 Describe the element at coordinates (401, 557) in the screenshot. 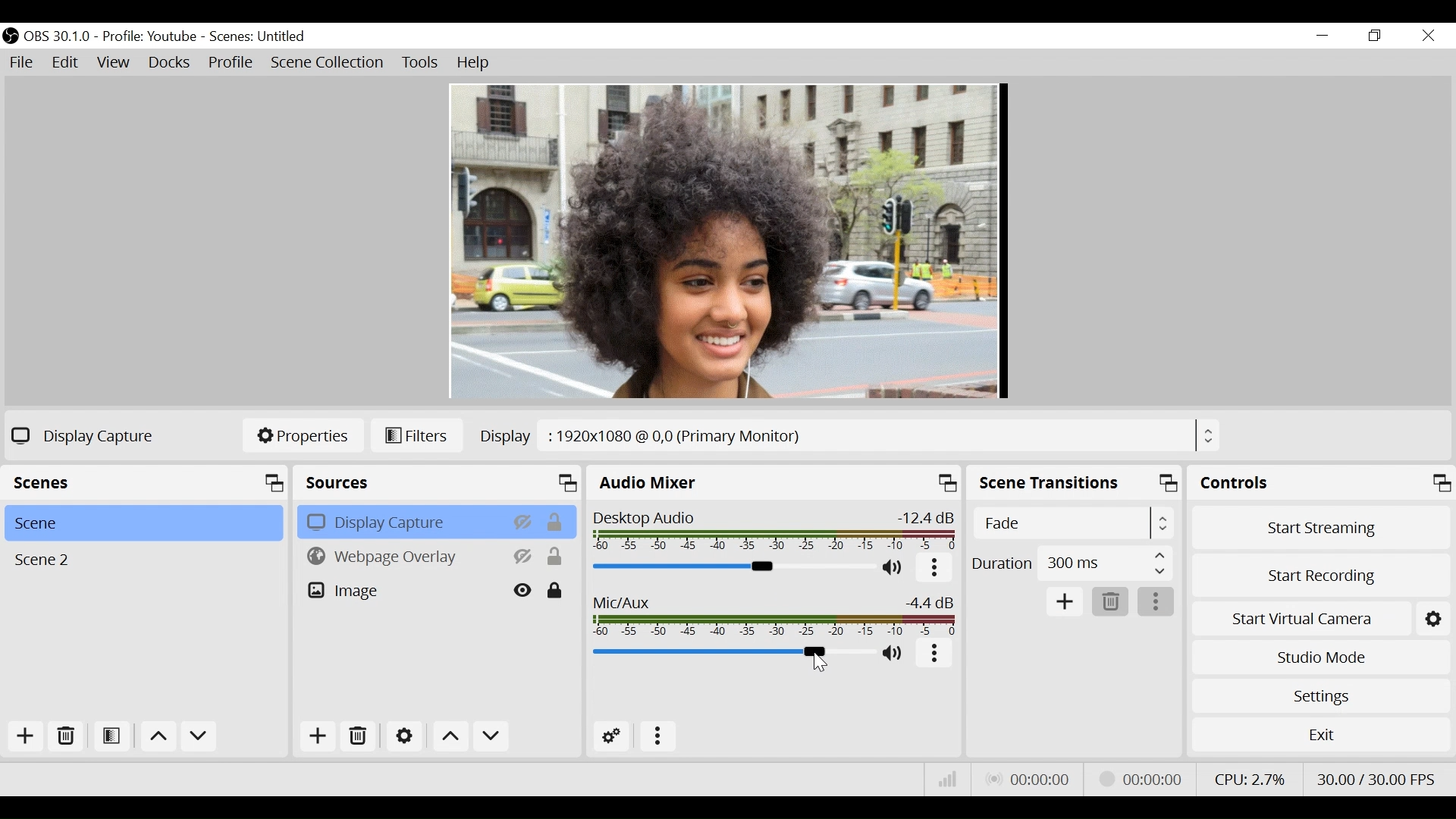

I see `Browser Source` at that location.